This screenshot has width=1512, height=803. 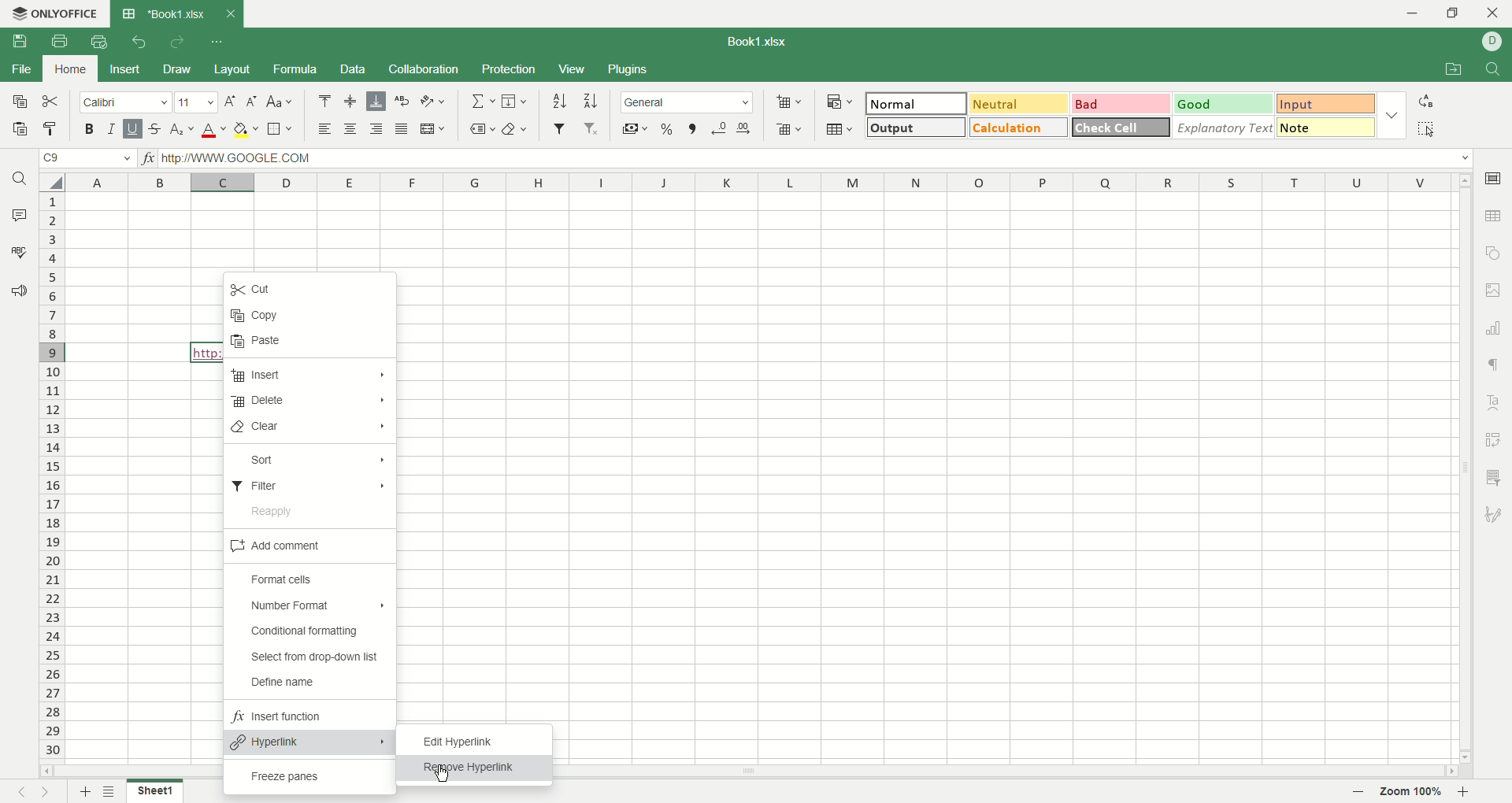 I want to click on select from drop down, so click(x=313, y=656).